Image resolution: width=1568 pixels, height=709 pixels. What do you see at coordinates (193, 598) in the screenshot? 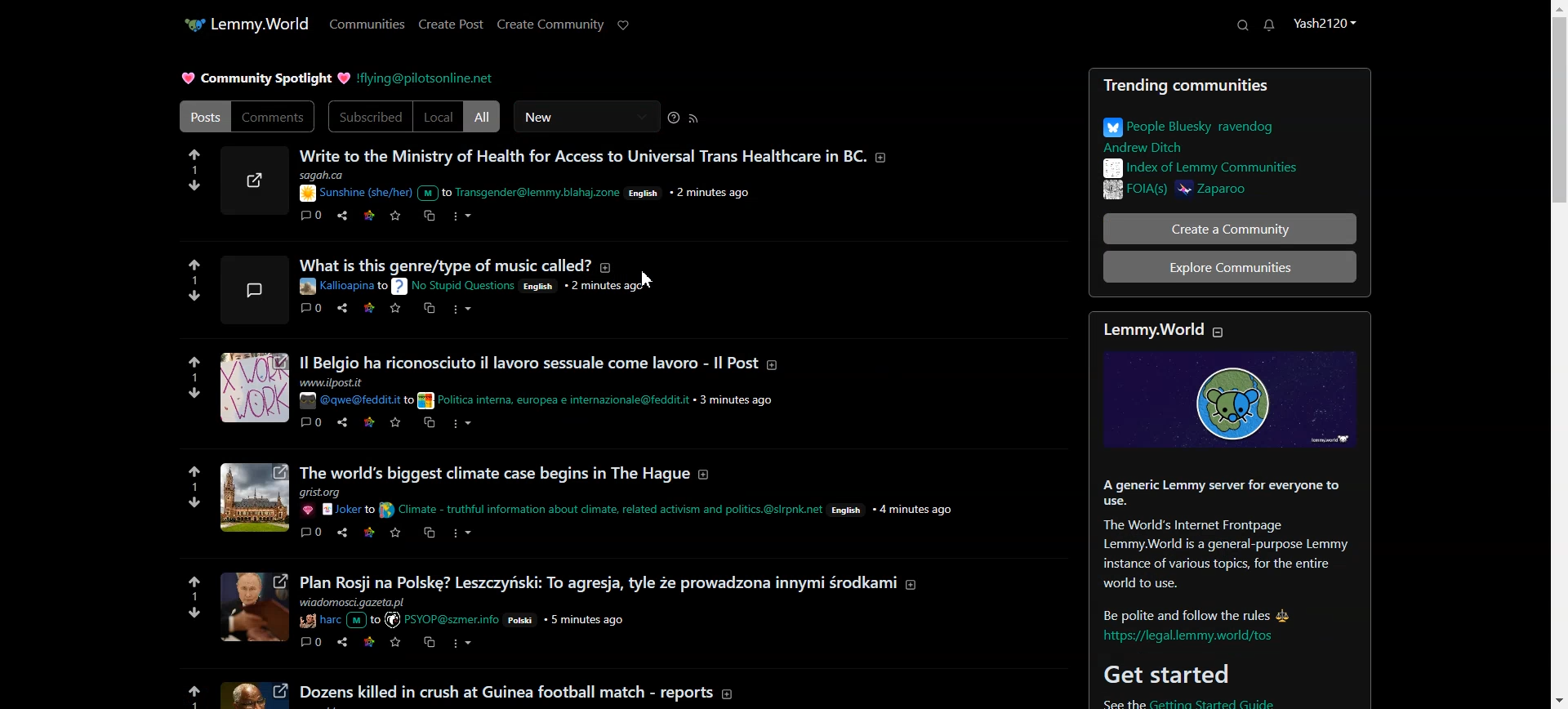
I see `1` at bounding box center [193, 598].